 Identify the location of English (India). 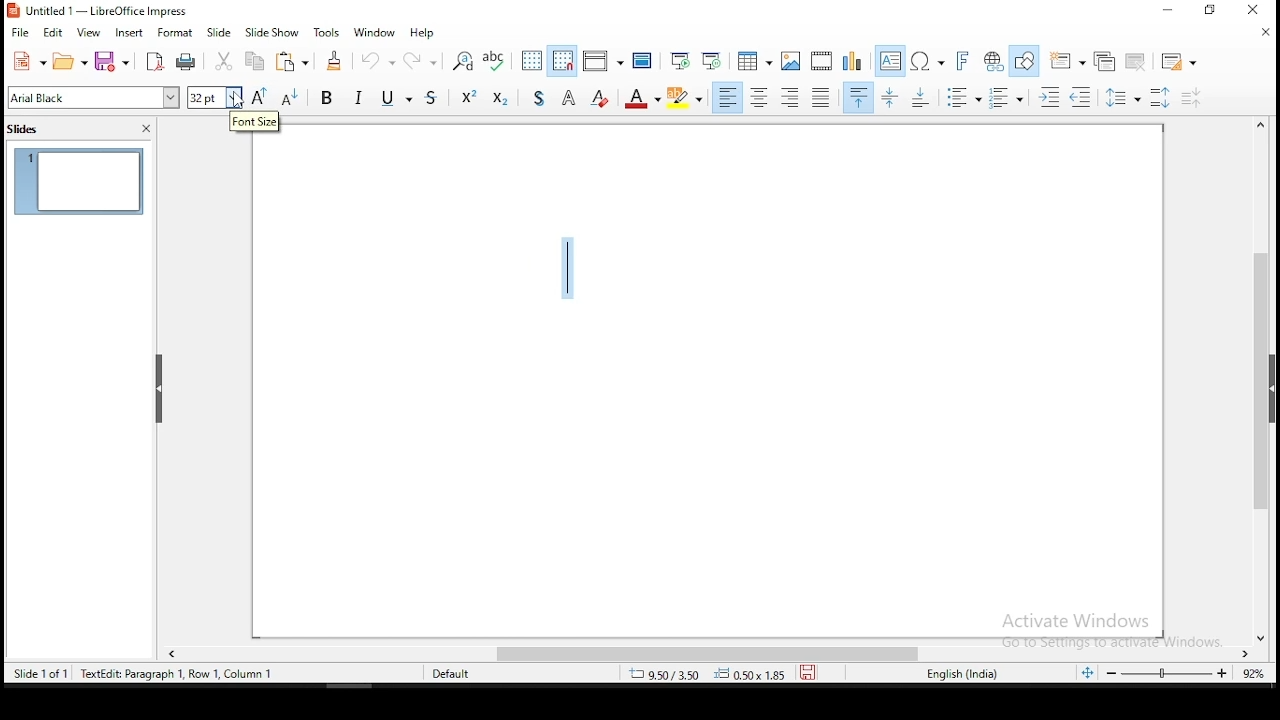
(962, 674).